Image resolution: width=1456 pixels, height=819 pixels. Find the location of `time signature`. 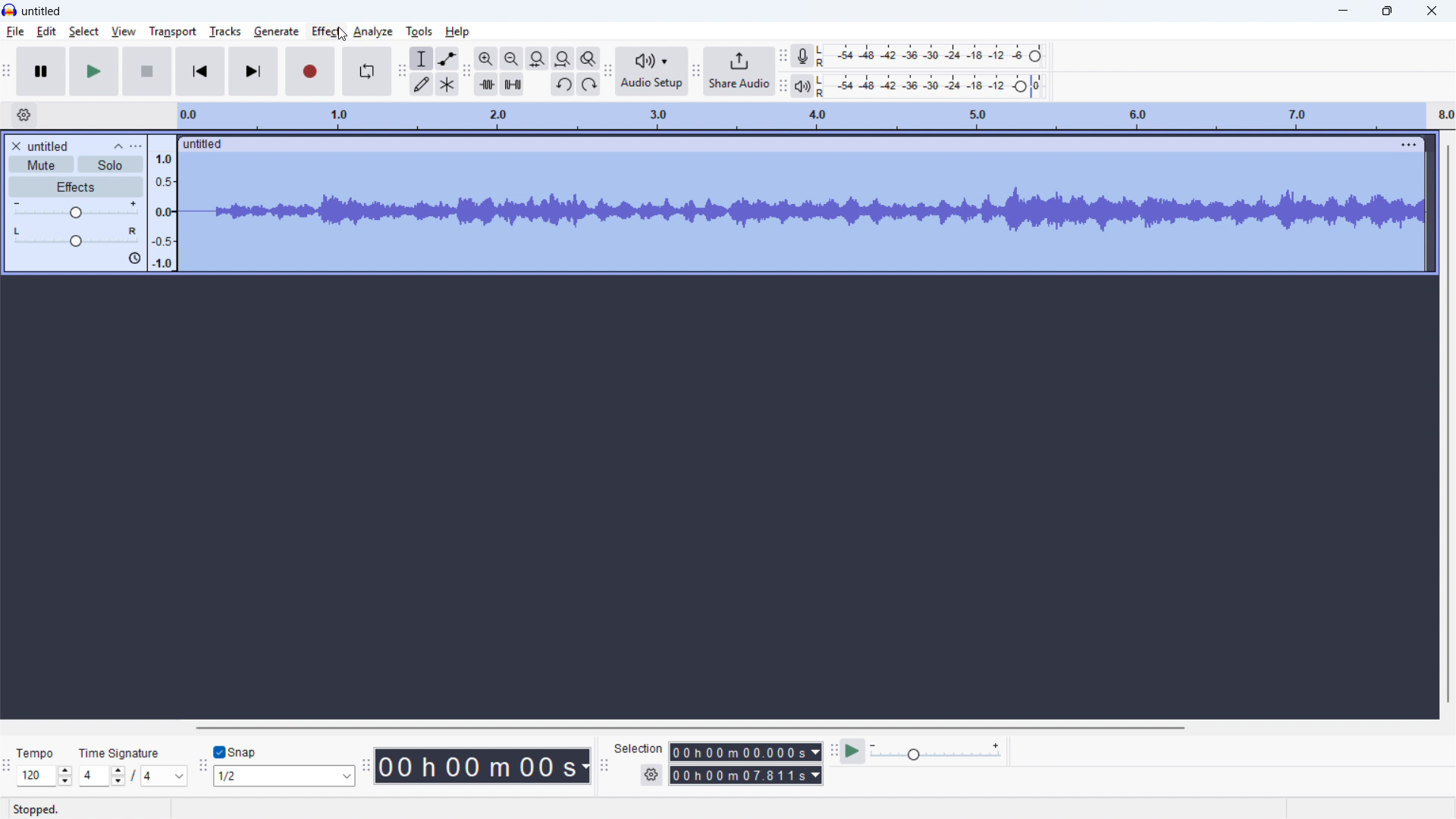

time signature is located at coordinates (120, 754).